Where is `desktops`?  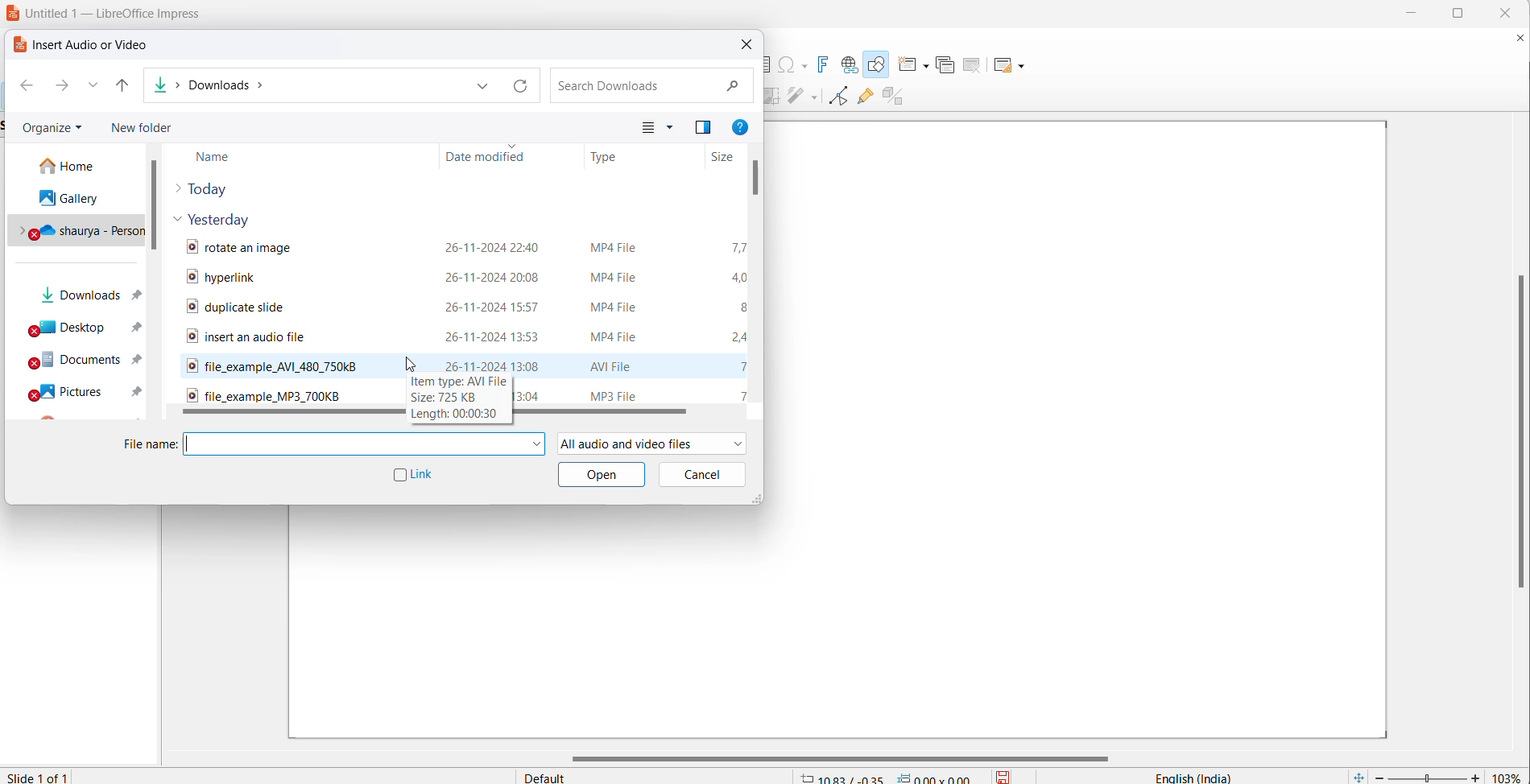 desktops is located at coordinates (85, 327).